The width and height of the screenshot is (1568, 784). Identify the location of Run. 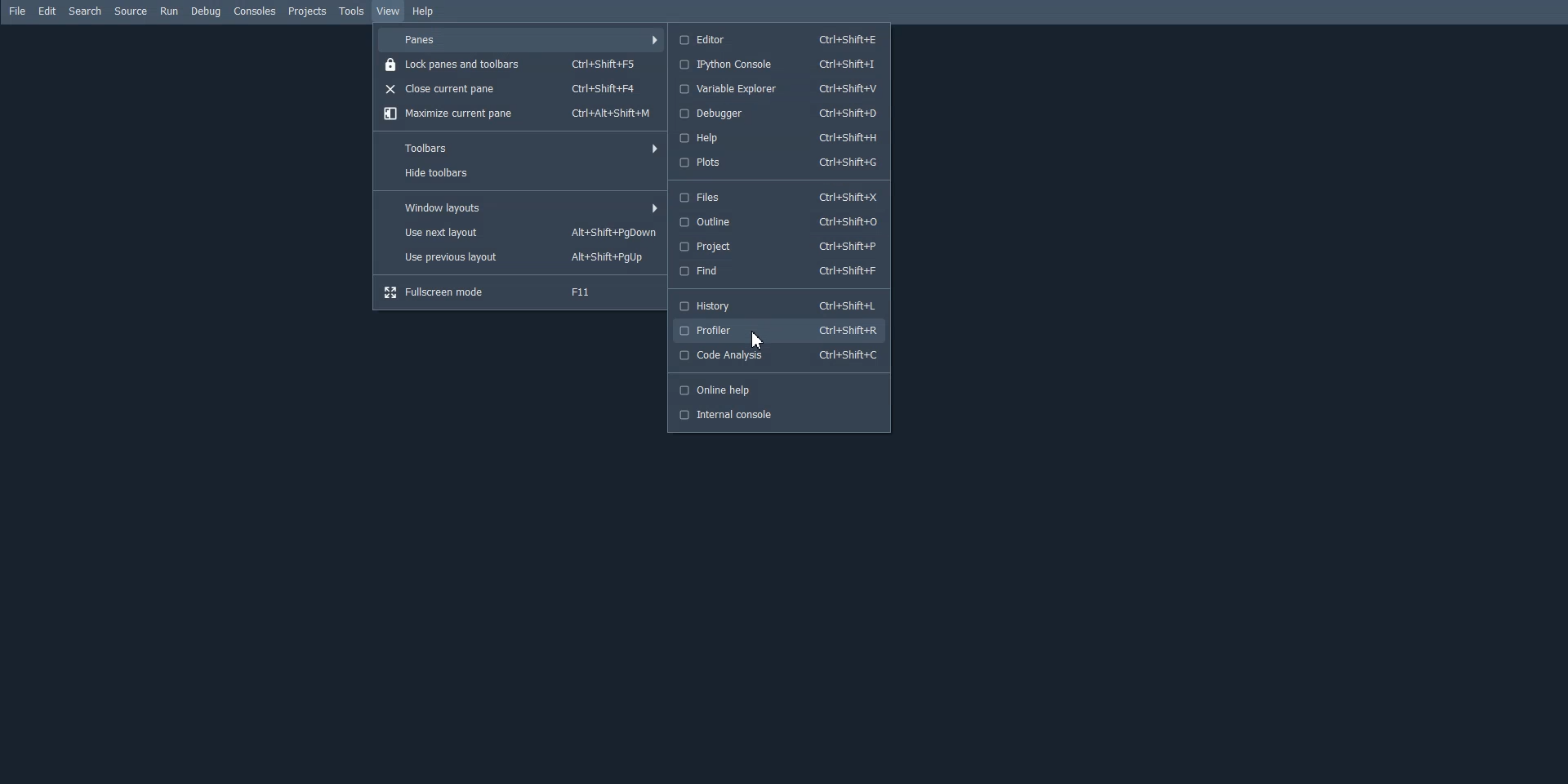
(168, 11).